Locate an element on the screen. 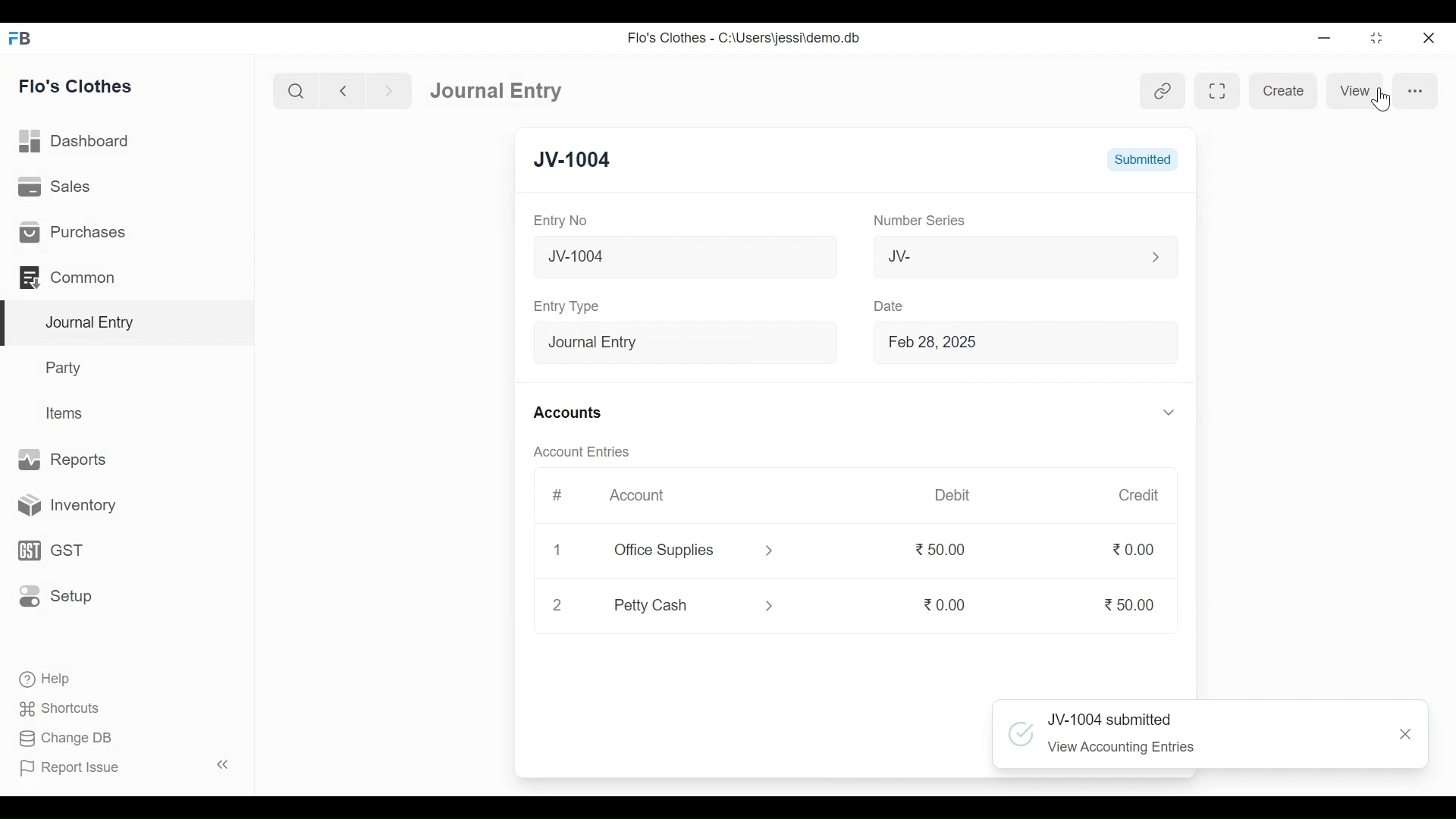 The image size is (1456, 819). Setup is located at coordinates (55, 595).